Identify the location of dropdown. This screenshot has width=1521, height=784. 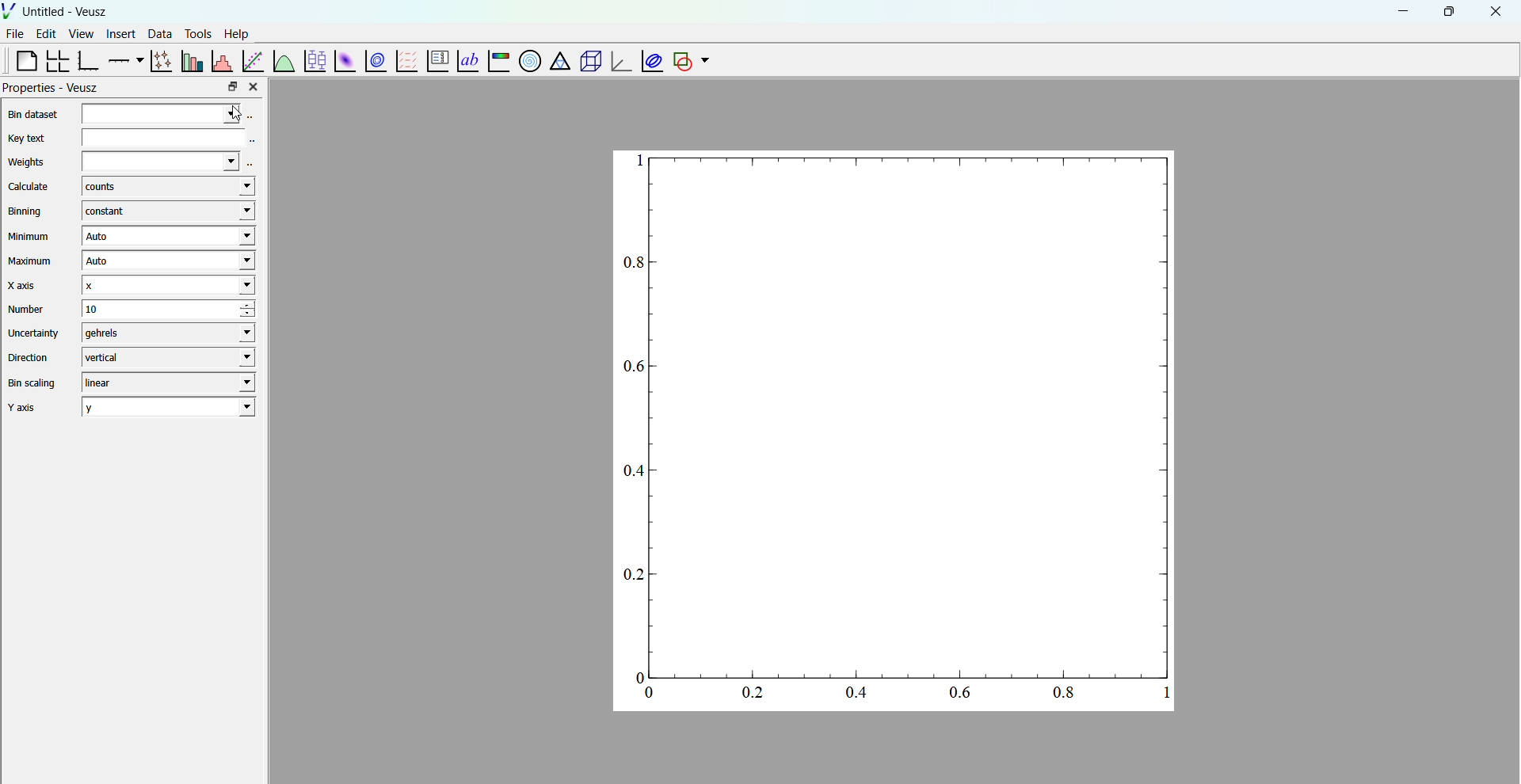
(705, 61).